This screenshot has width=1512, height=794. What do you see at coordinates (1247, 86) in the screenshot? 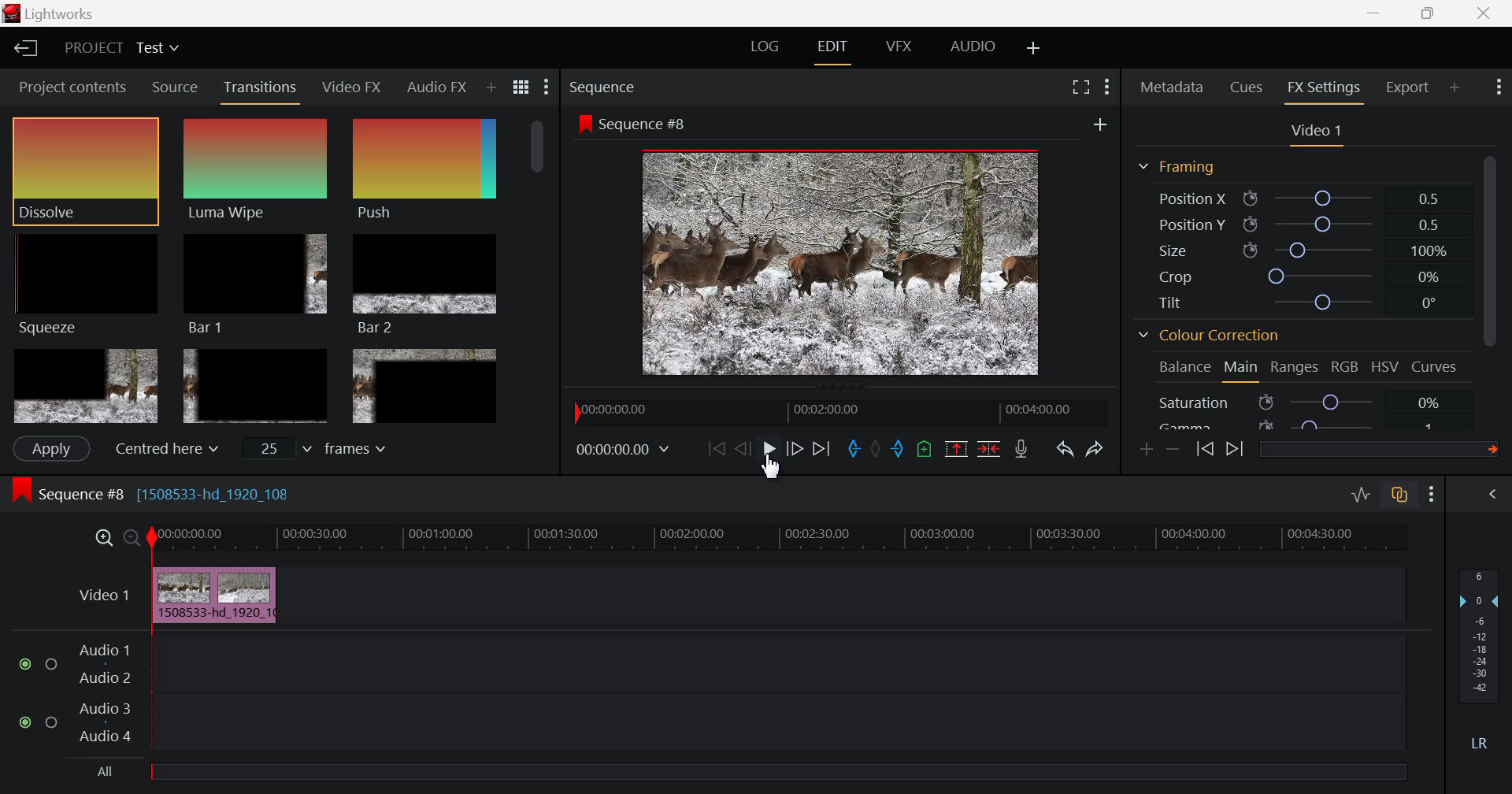
I see `Cues tab` at bounding box center [1247, 86].